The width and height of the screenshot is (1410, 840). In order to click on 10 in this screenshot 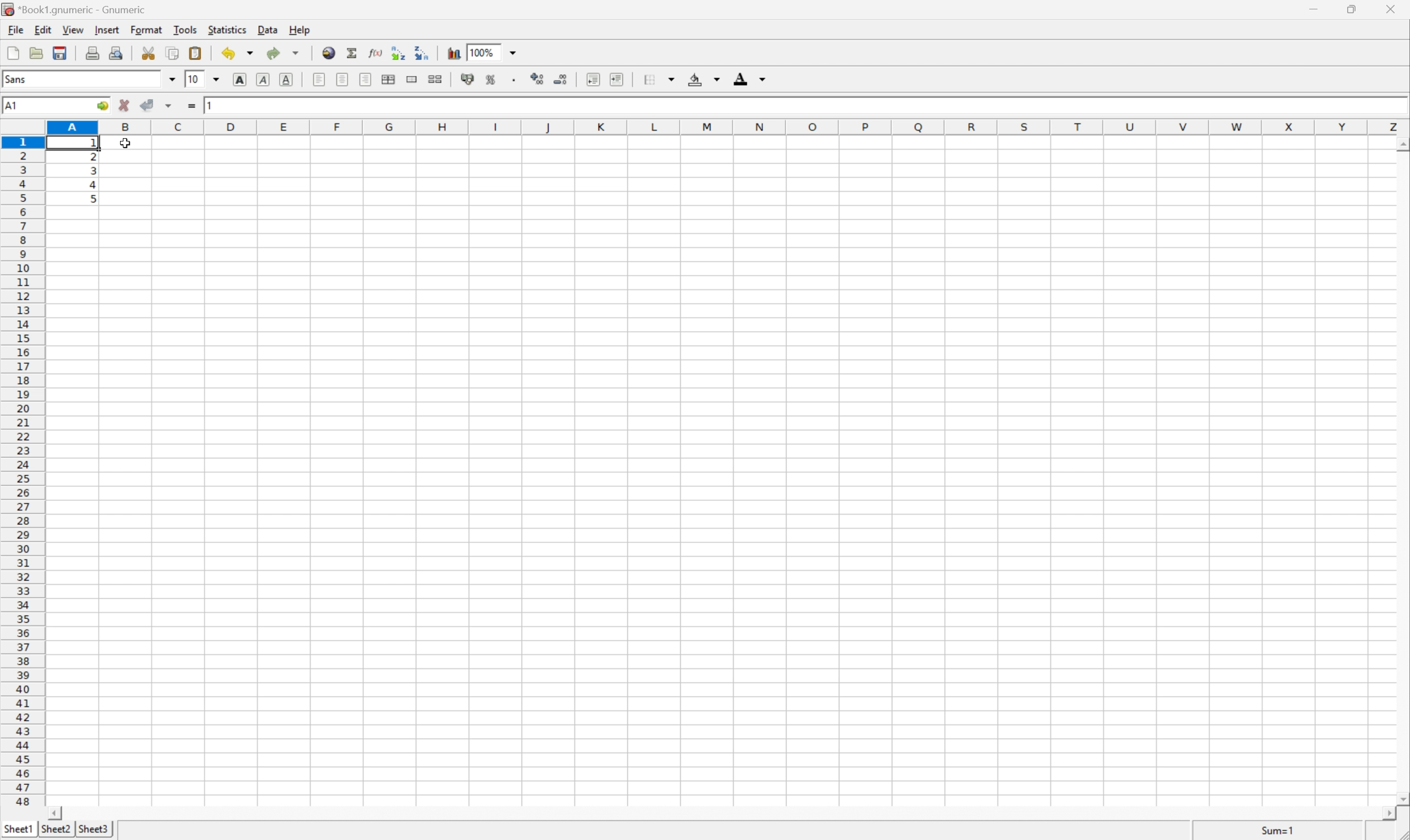, I will do `click(195, 79)`.